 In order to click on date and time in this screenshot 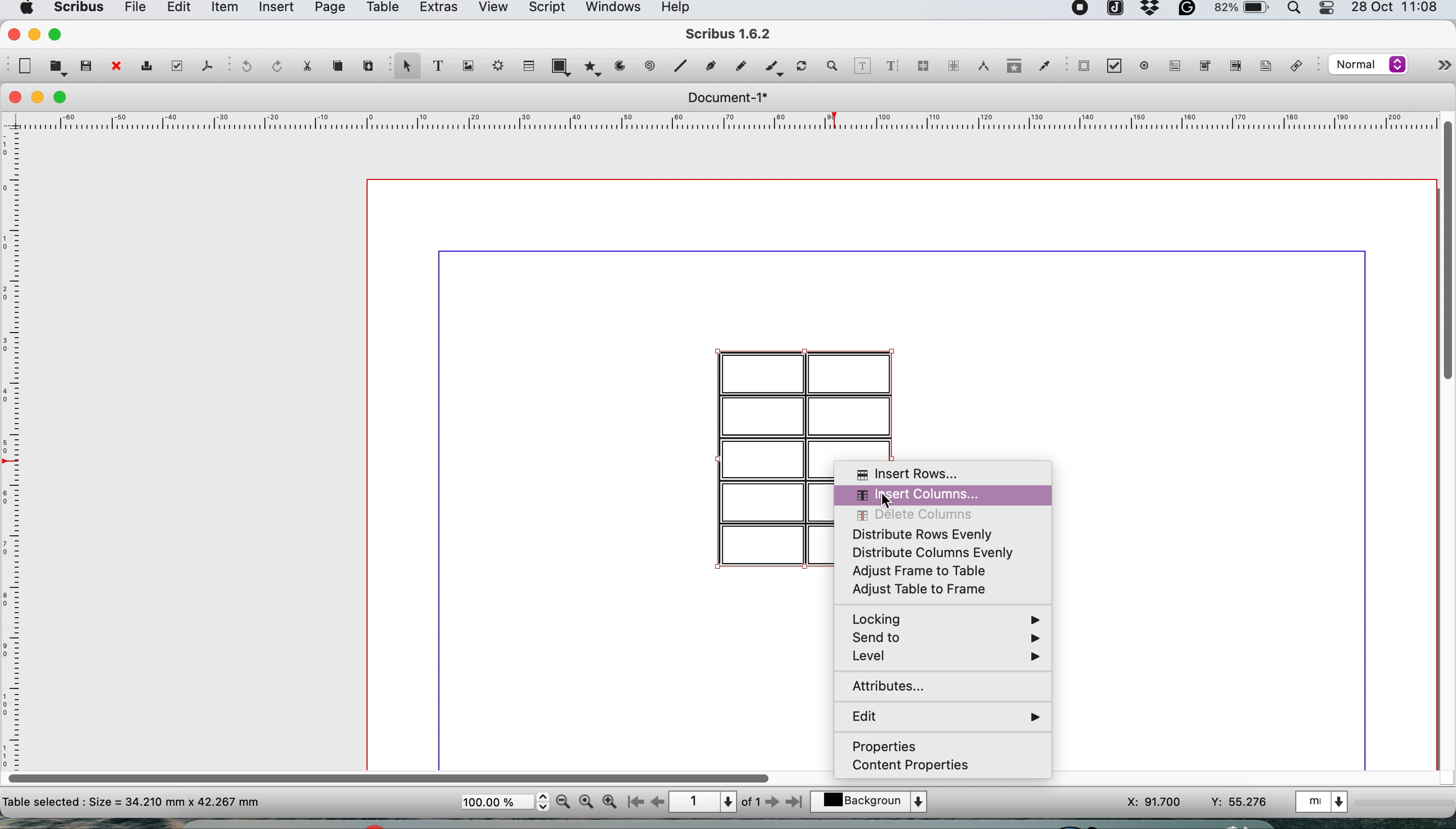, I will do `click(1397, 9)`.